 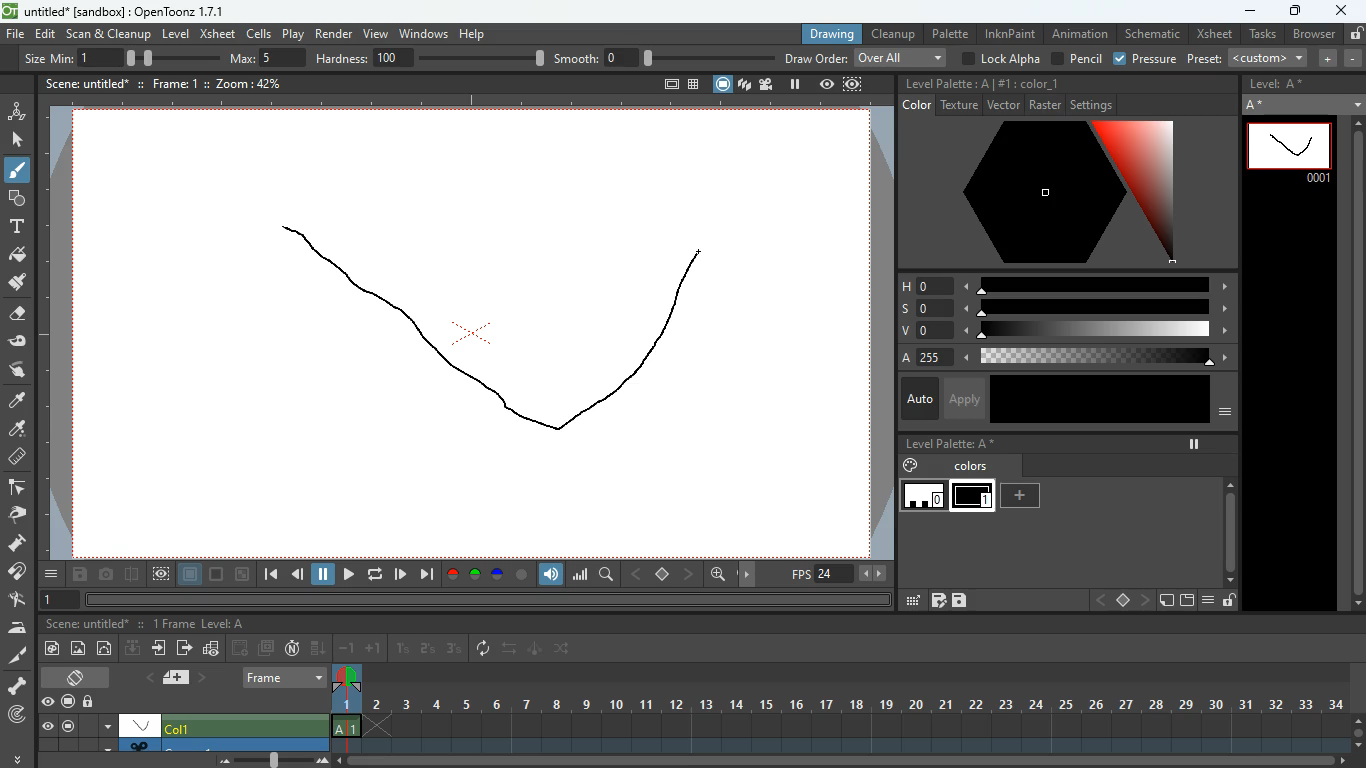 I want to click on frame, so click(x=1290, y=152).